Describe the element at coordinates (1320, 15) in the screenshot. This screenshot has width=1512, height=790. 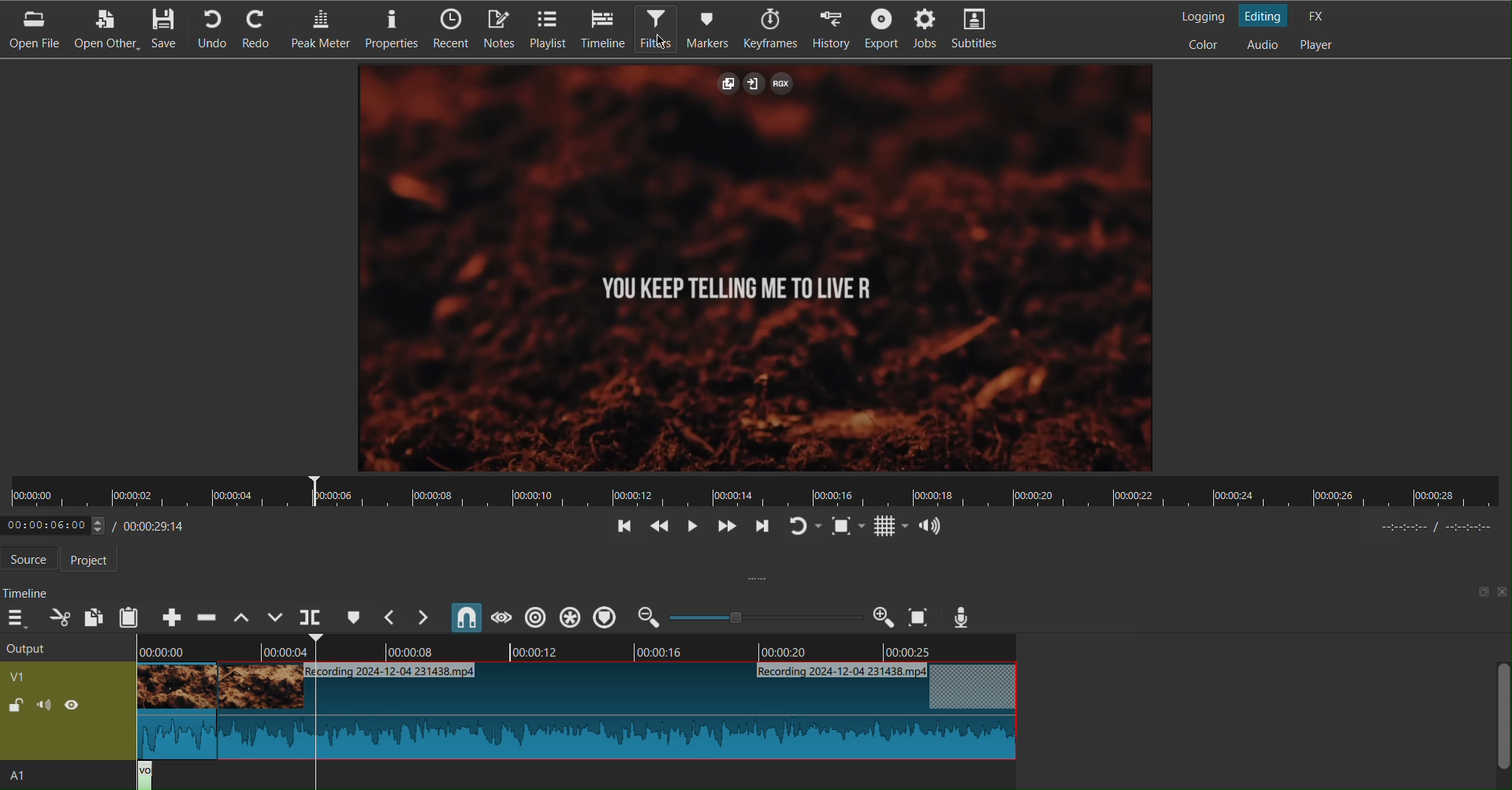
I see `FX` at that location.